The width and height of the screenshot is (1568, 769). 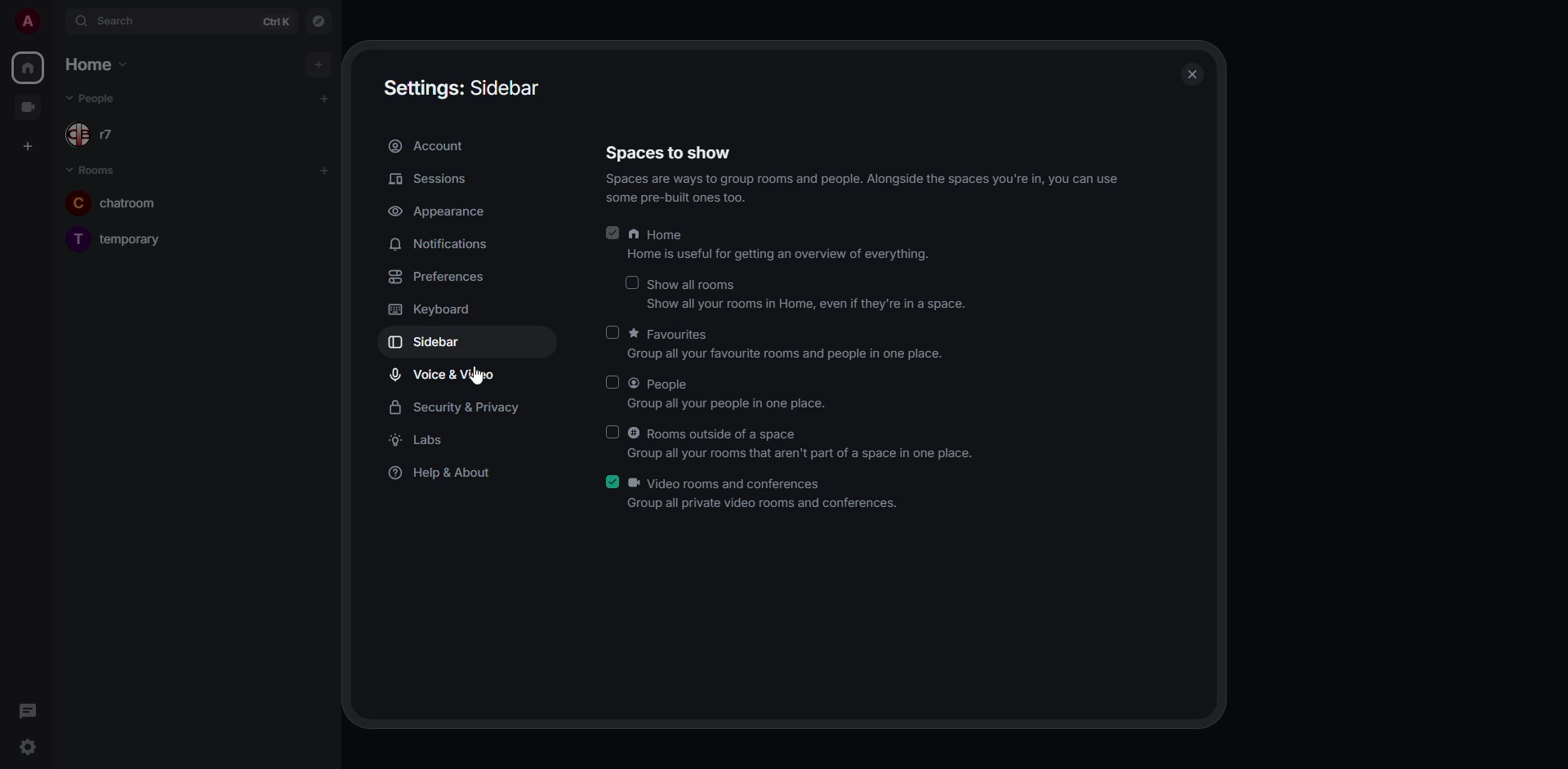 I want to click on show all rooms, so click(x=810, y=294).